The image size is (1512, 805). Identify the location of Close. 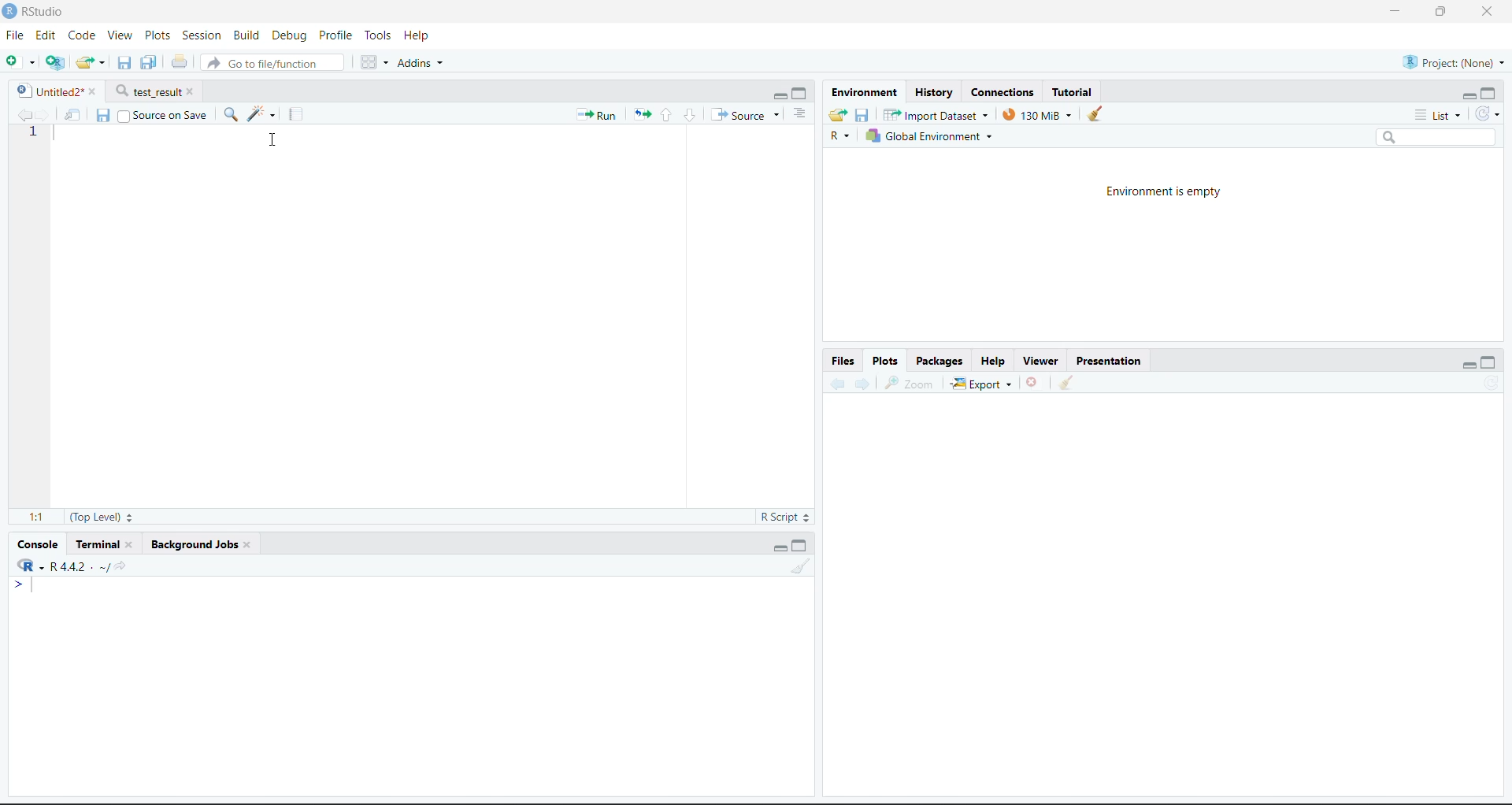
(1483, 13).